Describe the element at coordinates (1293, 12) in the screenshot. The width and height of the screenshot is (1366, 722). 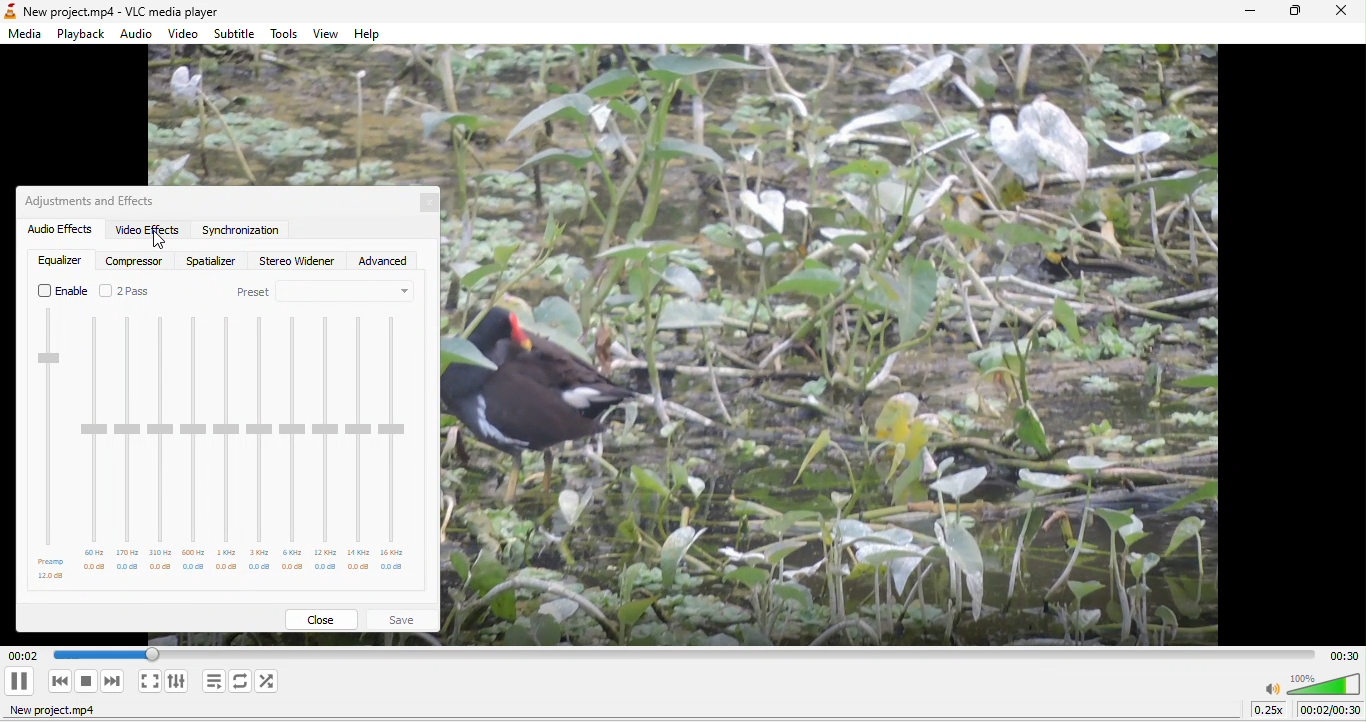
I see `maximize` at that location.